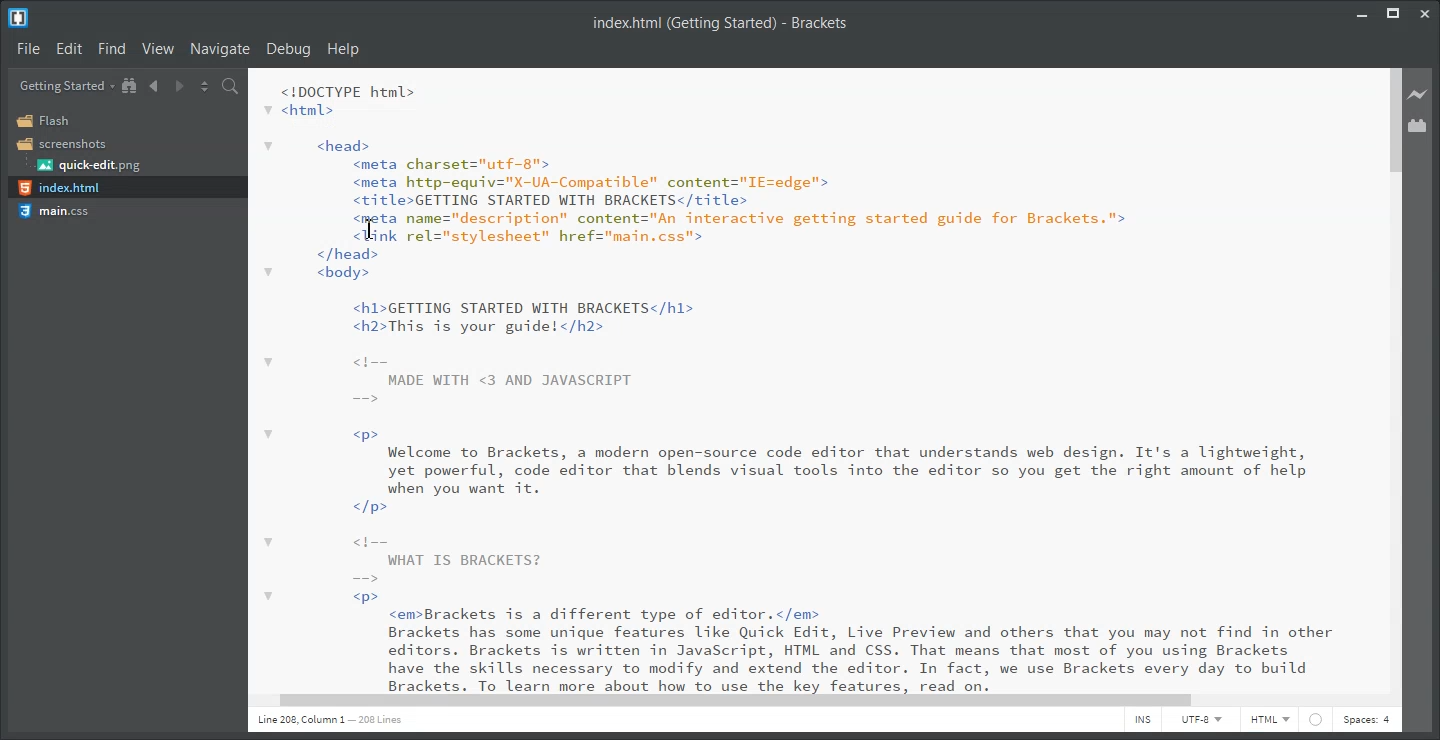  Describe the element at coordinates (288, 50) in the screenshot. I see `Debug` at that location.